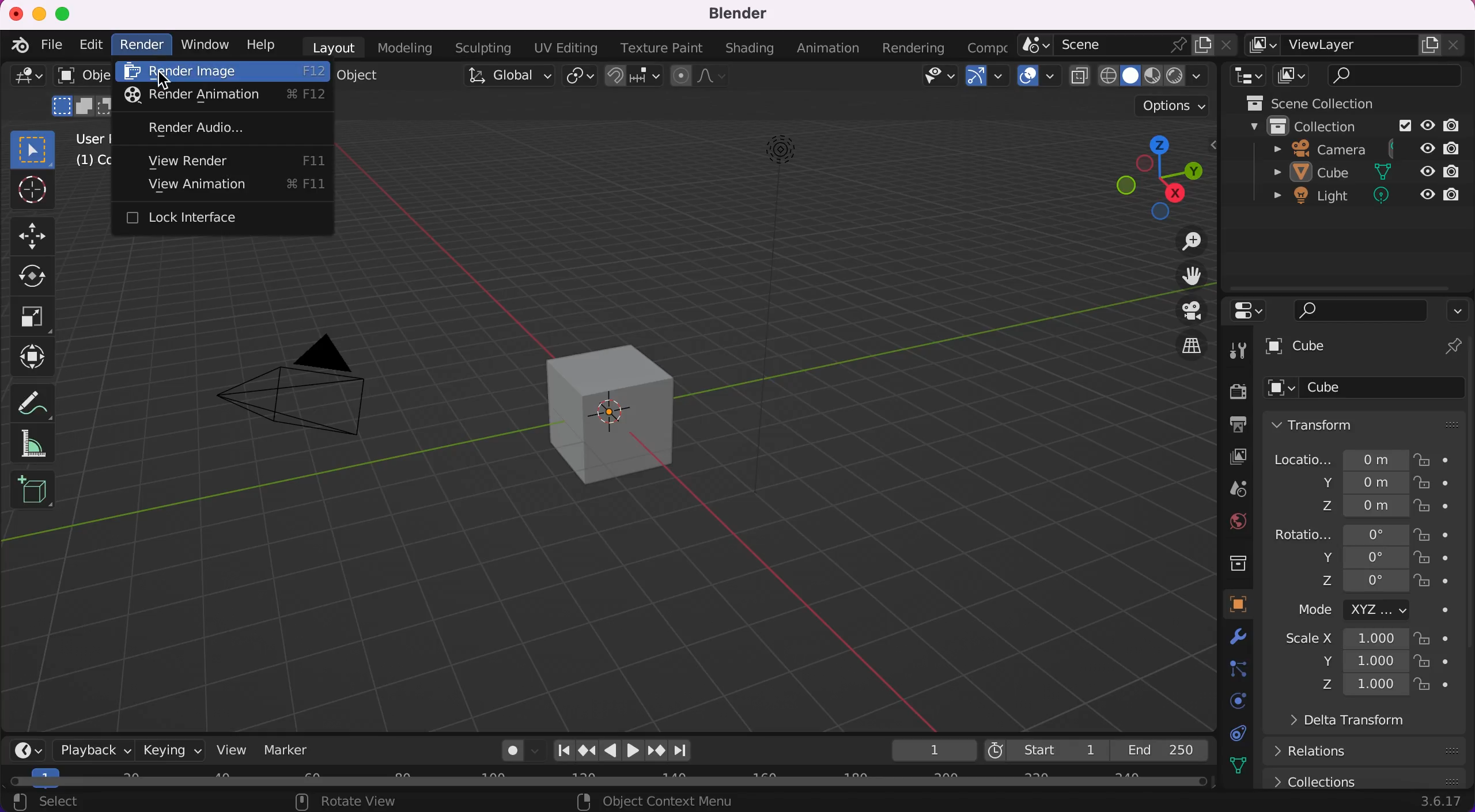 The height and width of the screenshot is (812, 1475). Describe the element at coordinates (189, 127) in the screenshot. I see `render audio` at that location.